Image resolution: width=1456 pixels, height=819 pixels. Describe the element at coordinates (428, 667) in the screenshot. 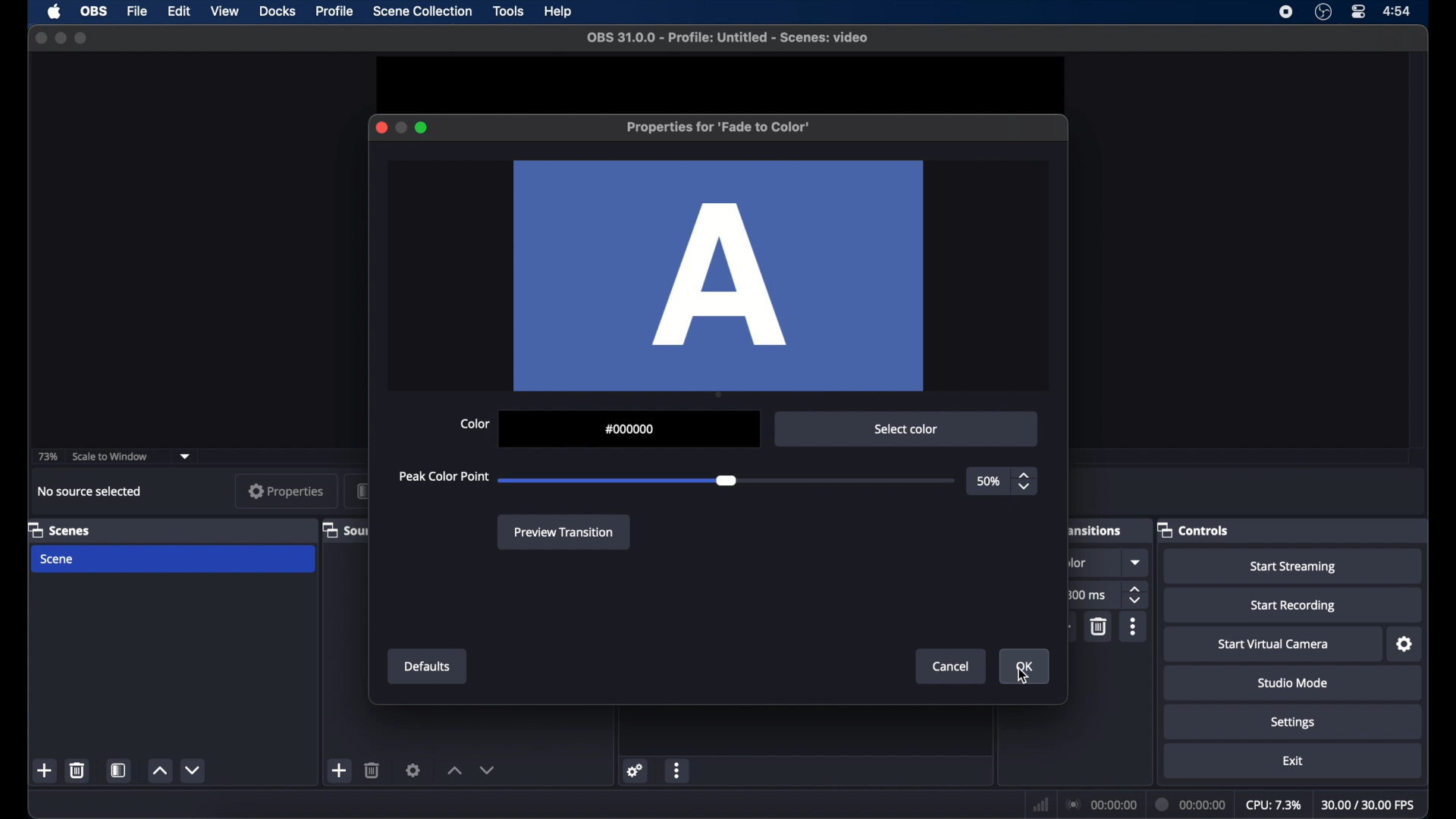

I see `defaults` at that location.